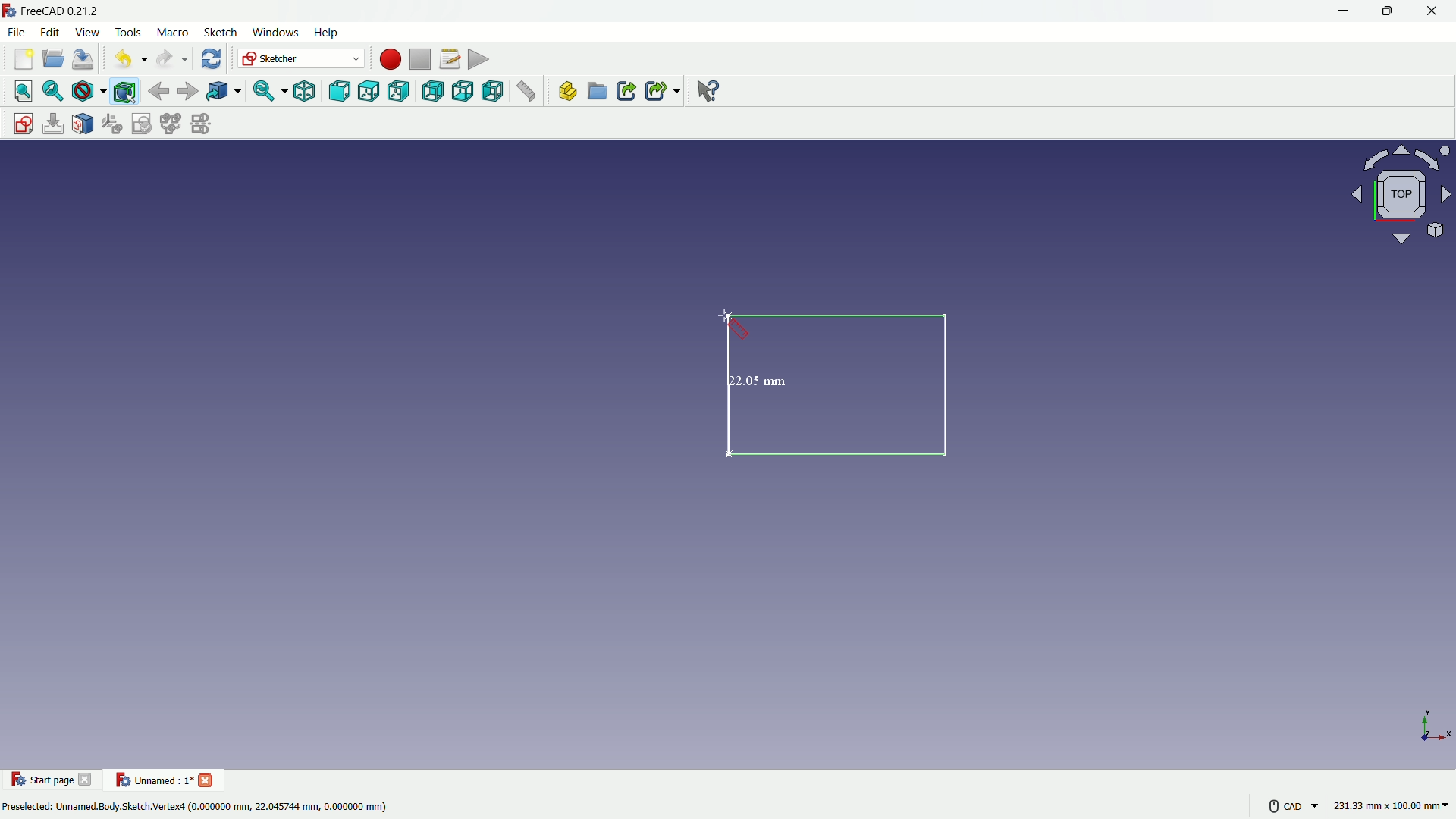 This screenshot has height=819, width=1456. What do you see at coordinates (158, 90) in the screenshot?
I see `back` at bounding box center [158, 90].